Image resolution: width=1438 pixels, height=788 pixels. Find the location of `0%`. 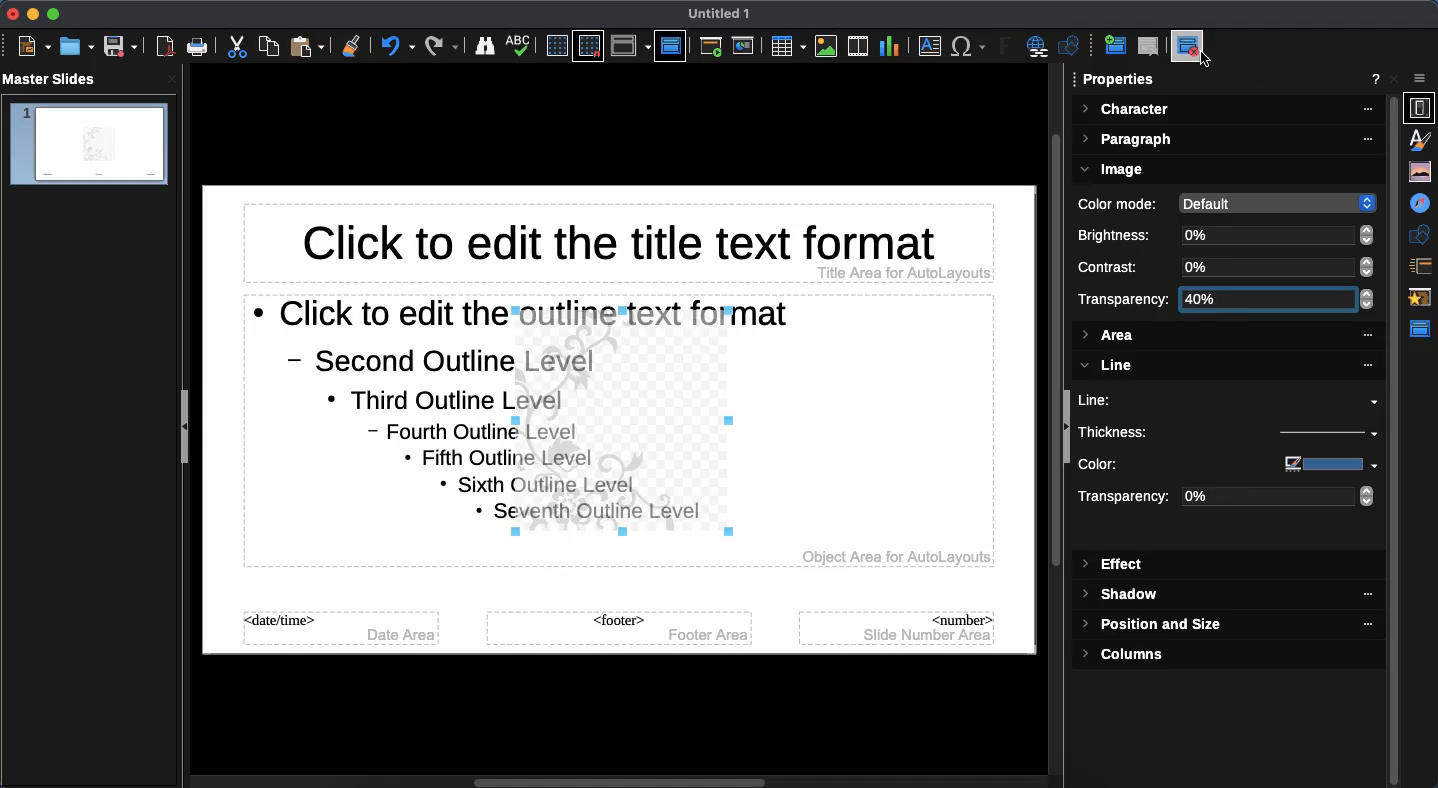

0% is located at coordinates (1280, 498).